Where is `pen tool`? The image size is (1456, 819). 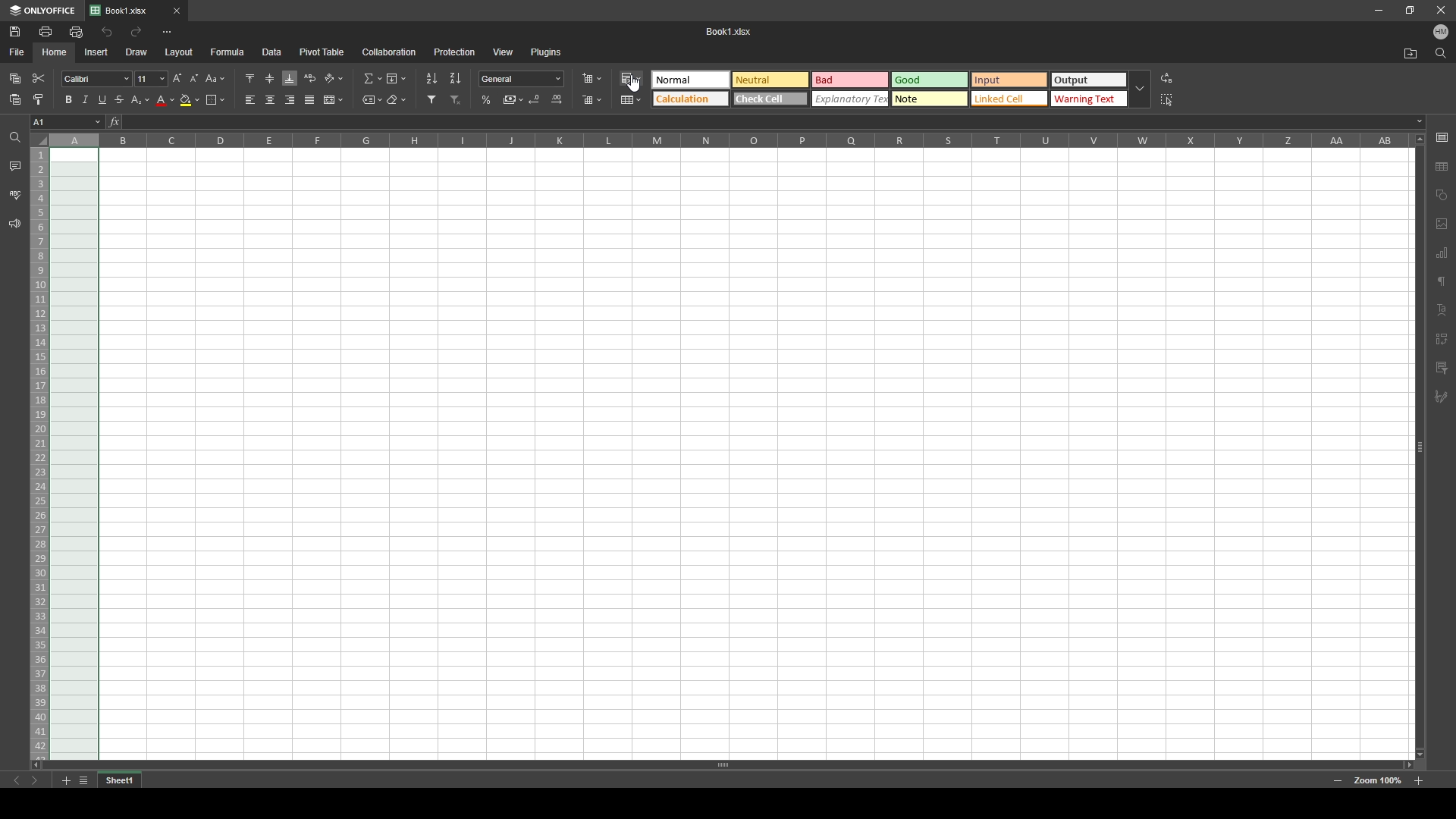 pen tool is located at coordinates (1441, 397).